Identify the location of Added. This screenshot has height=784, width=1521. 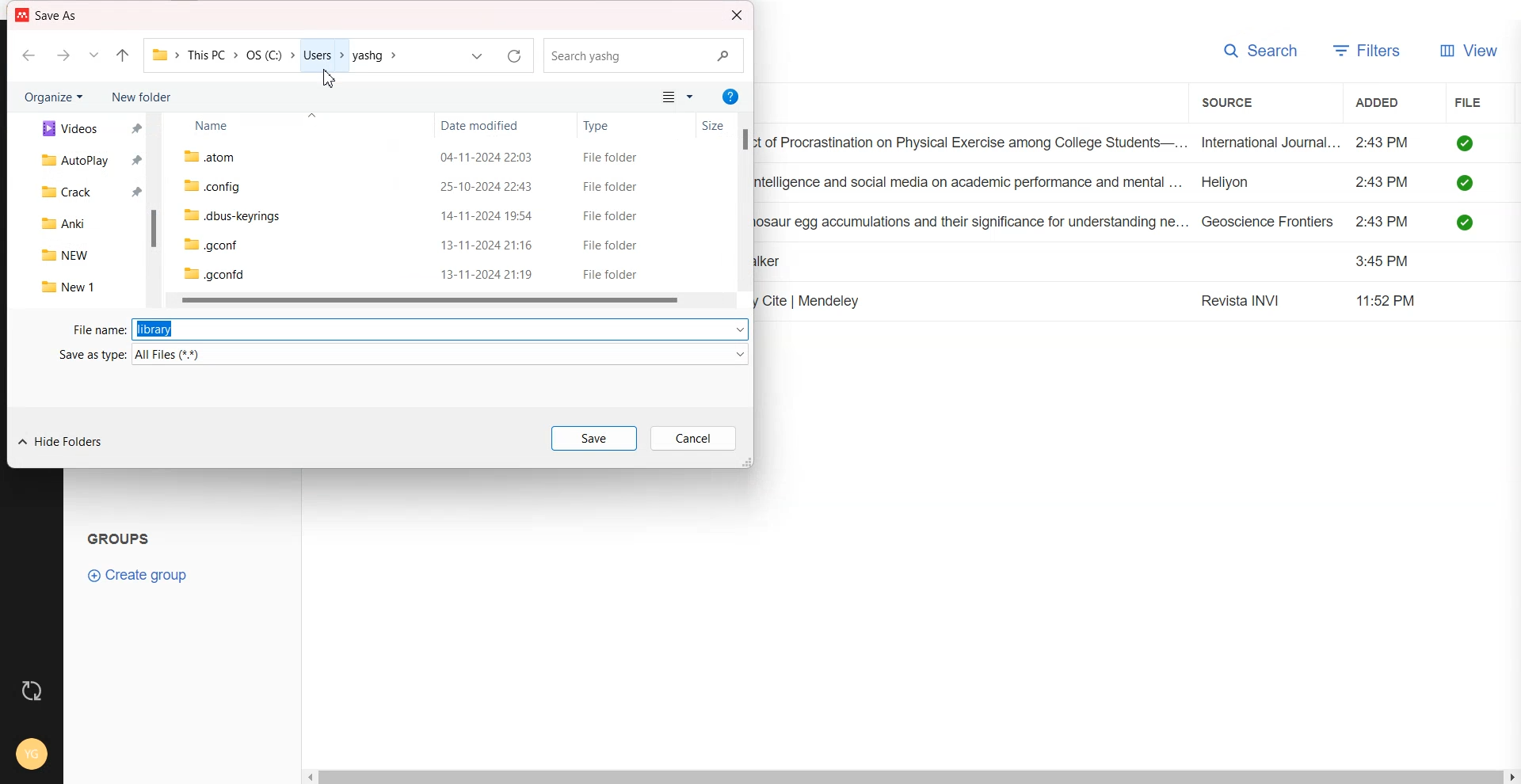
(1386, 101).